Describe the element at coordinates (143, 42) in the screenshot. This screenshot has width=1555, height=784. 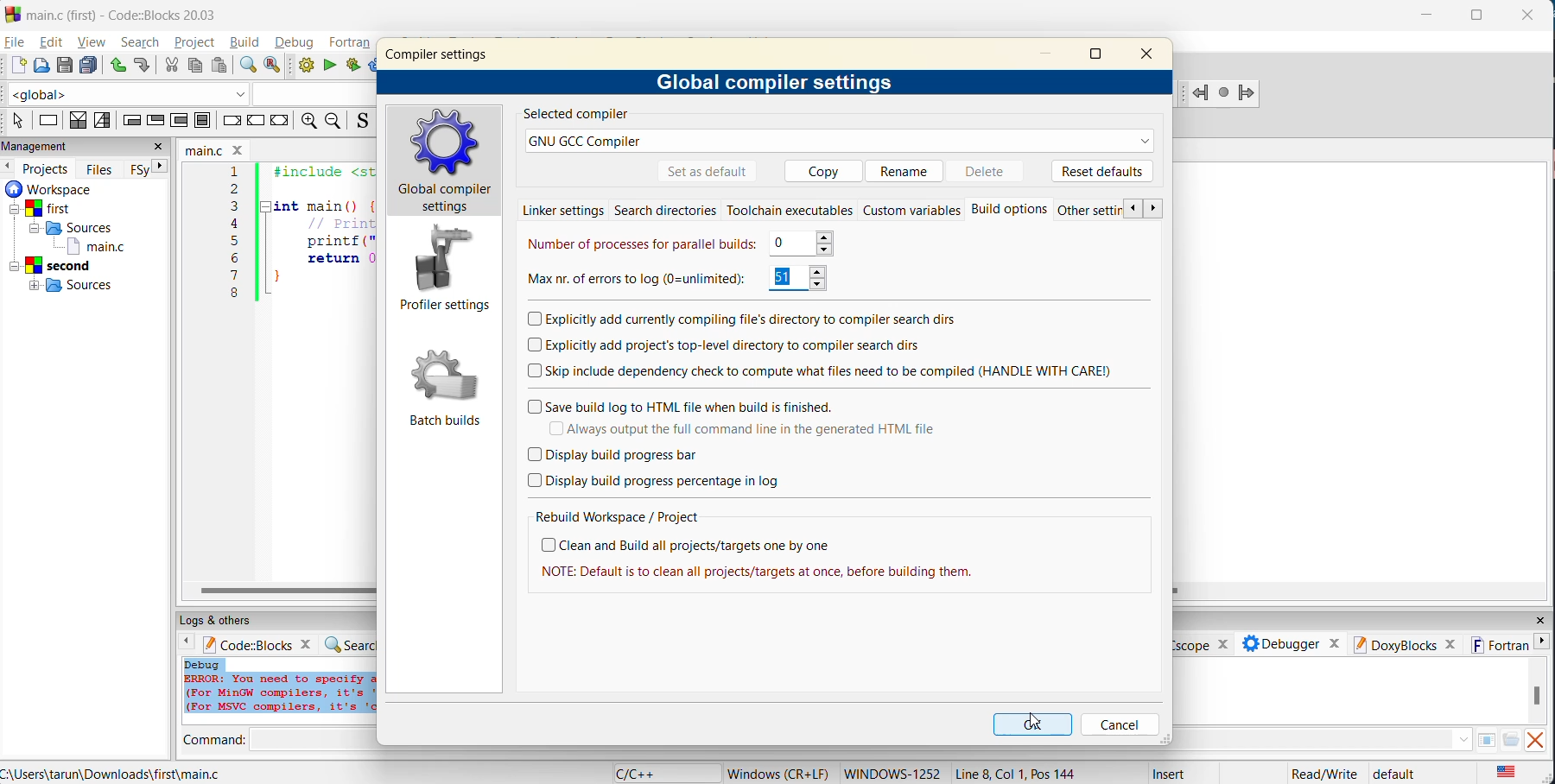
I see `search` at that location.